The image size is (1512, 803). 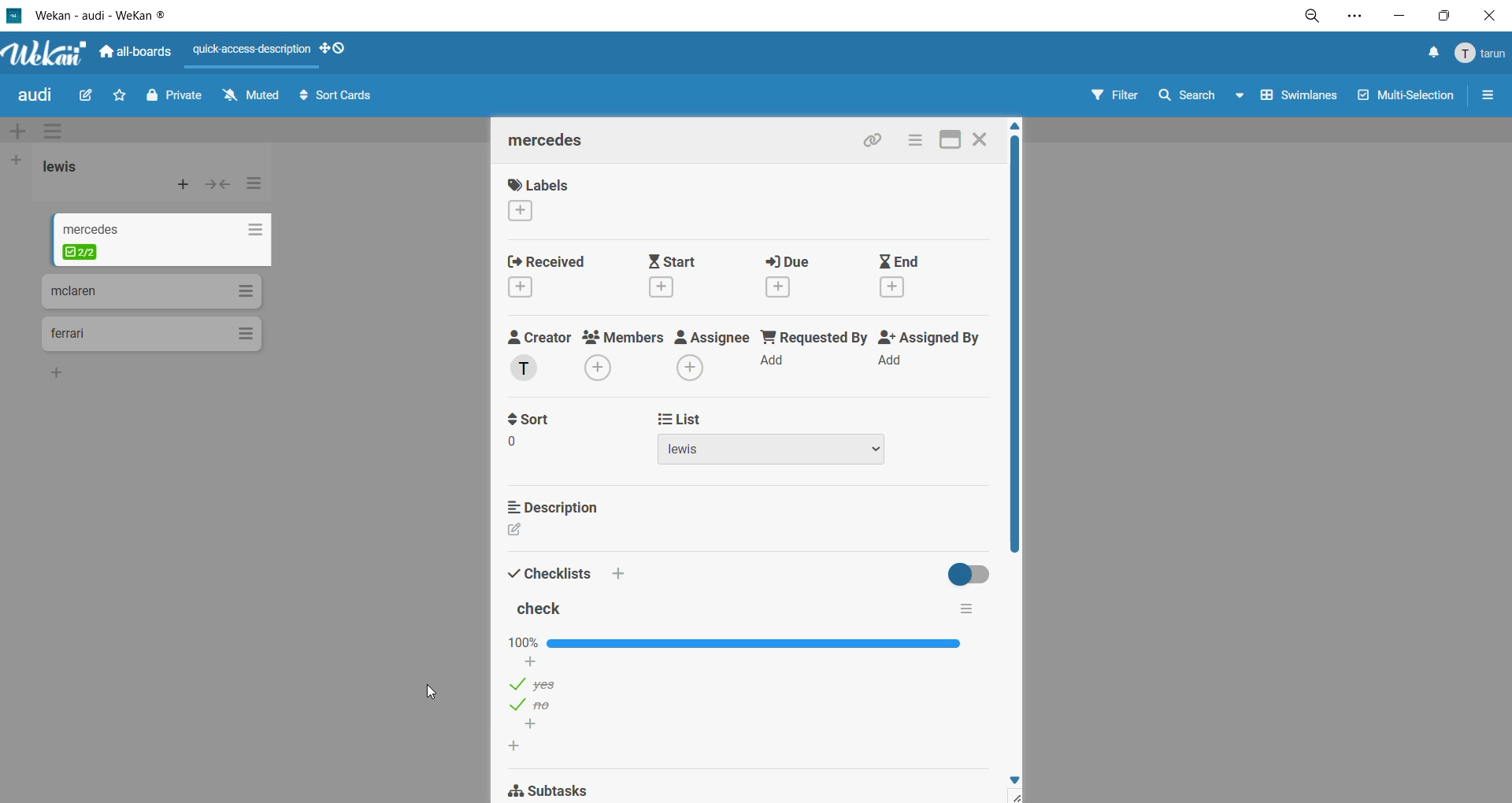 What do you see at coordinates (1427, 56) in the screenshot?
I see `notifications` at bounding box center [1427, 56].